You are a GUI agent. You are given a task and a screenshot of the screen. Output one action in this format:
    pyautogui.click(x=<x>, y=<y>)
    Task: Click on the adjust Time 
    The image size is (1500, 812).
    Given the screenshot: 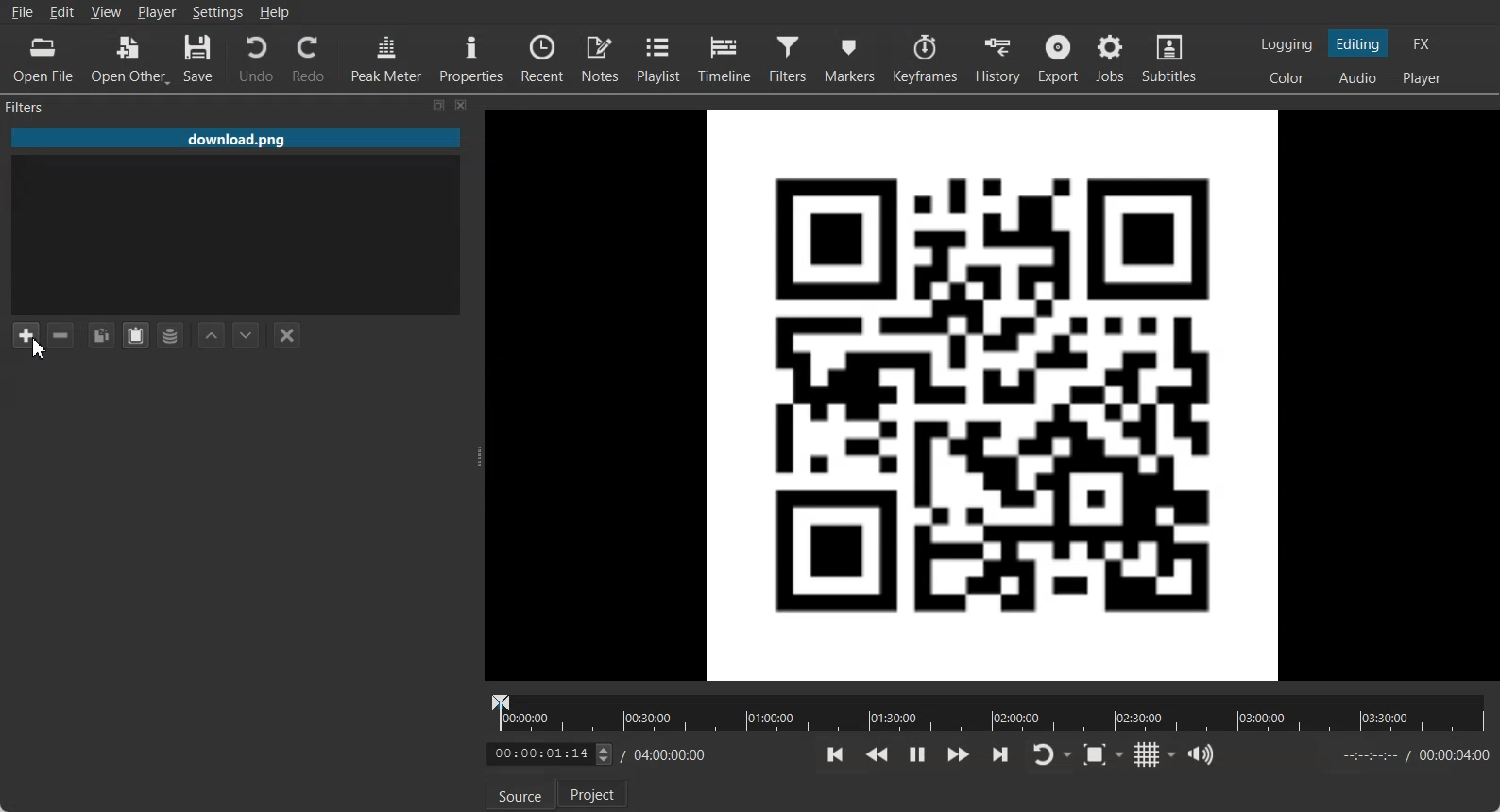 What is the action you would take?
    pyautogui.click(x=548, y=754)
    